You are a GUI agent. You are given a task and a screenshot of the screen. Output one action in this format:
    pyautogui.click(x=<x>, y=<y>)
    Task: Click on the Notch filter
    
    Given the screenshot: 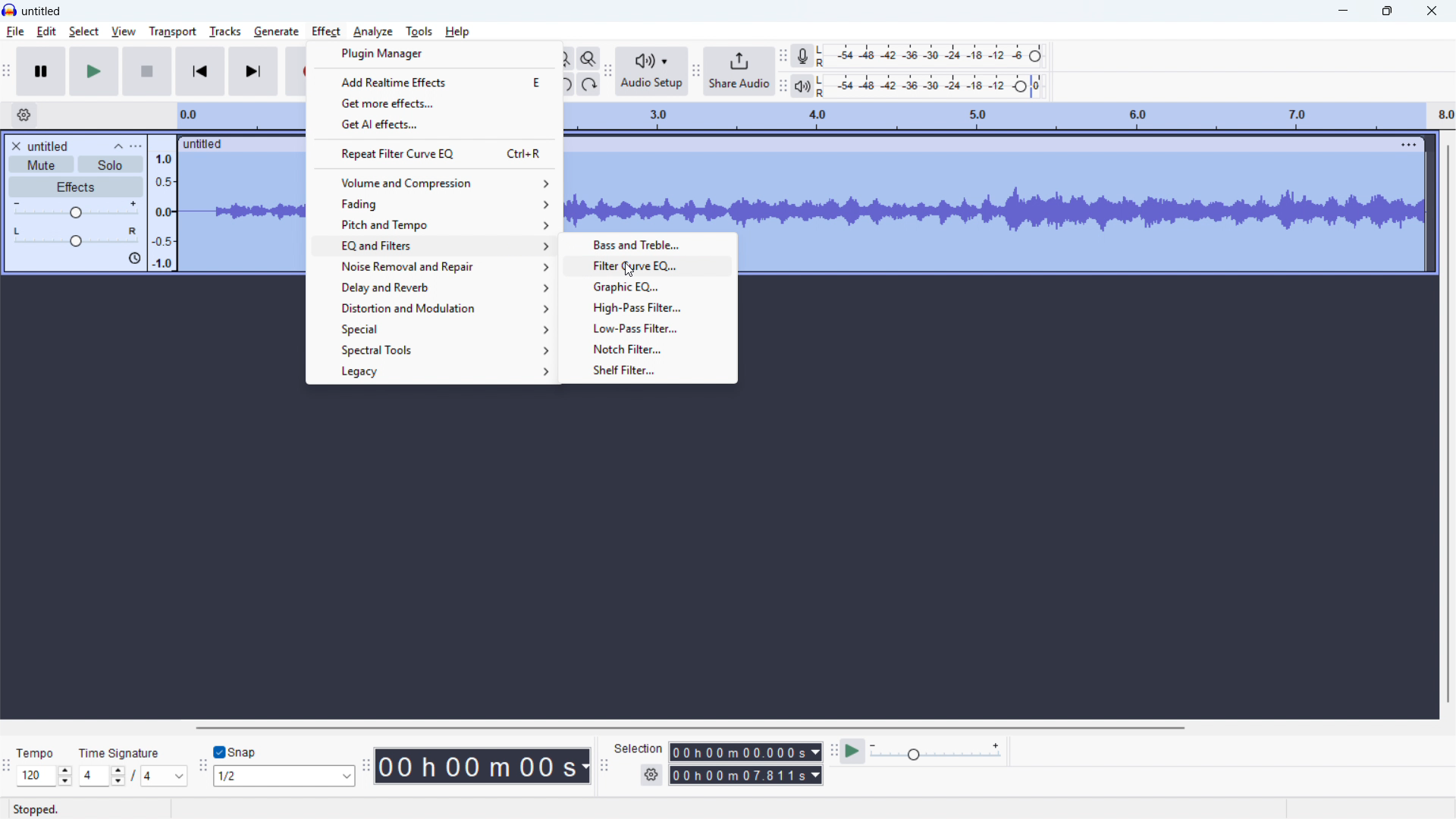 What is the action you would take?
    pyautogui.click(x=645, y=348)
    